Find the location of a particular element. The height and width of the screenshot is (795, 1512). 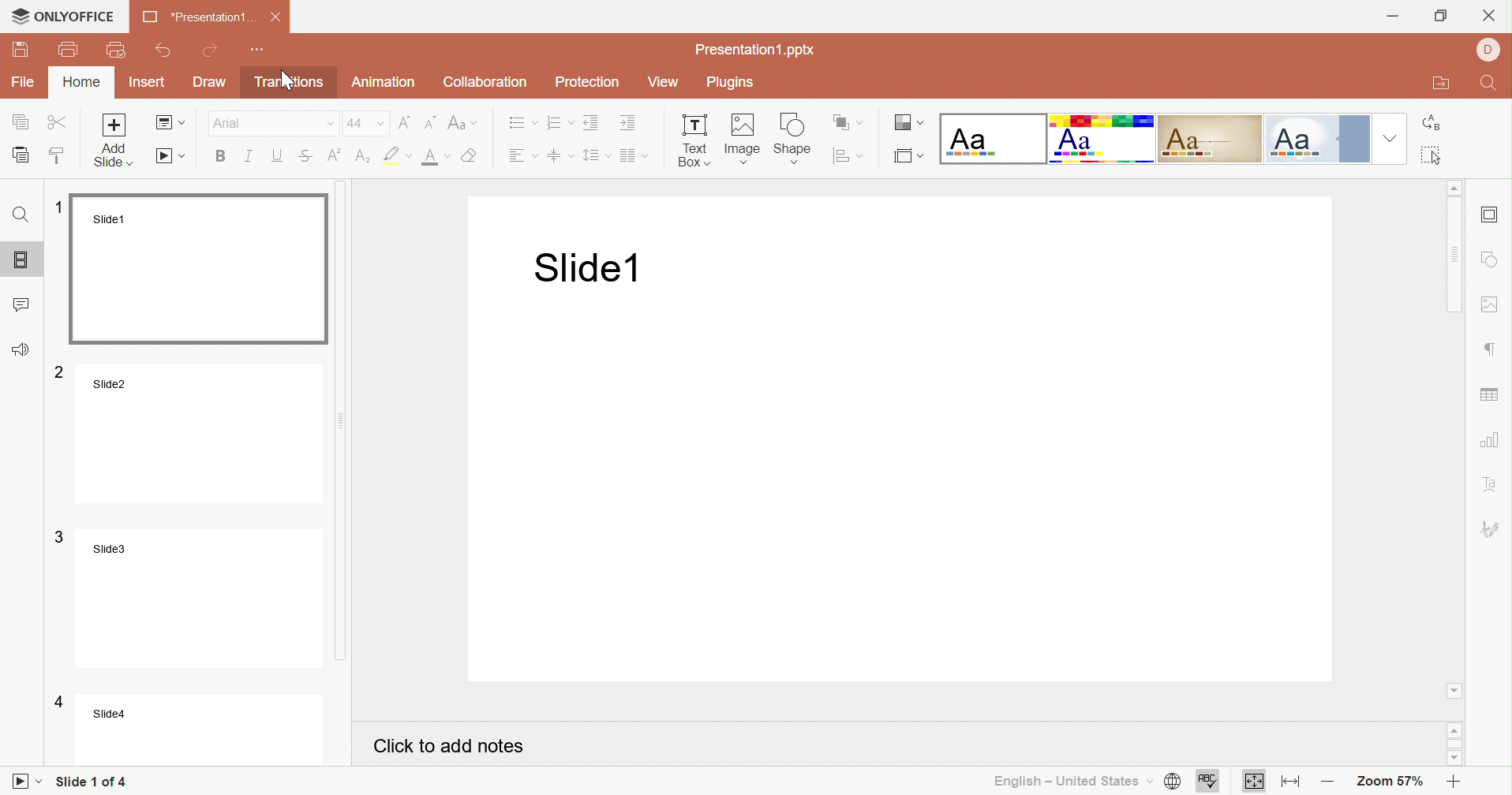

Insert image is located at coordinates (740, 139).